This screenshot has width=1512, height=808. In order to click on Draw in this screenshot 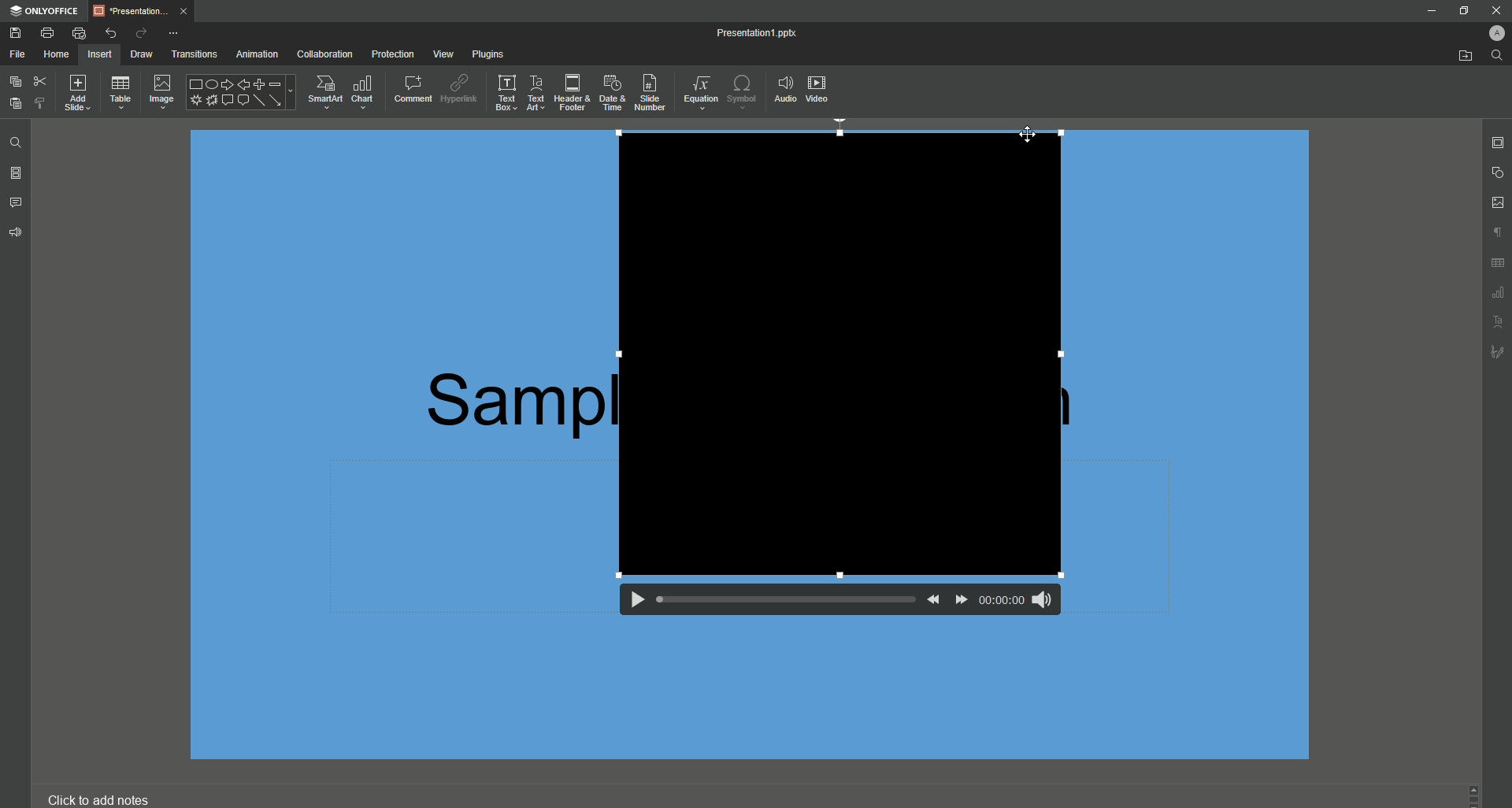, I will do `click(143, 54)`.